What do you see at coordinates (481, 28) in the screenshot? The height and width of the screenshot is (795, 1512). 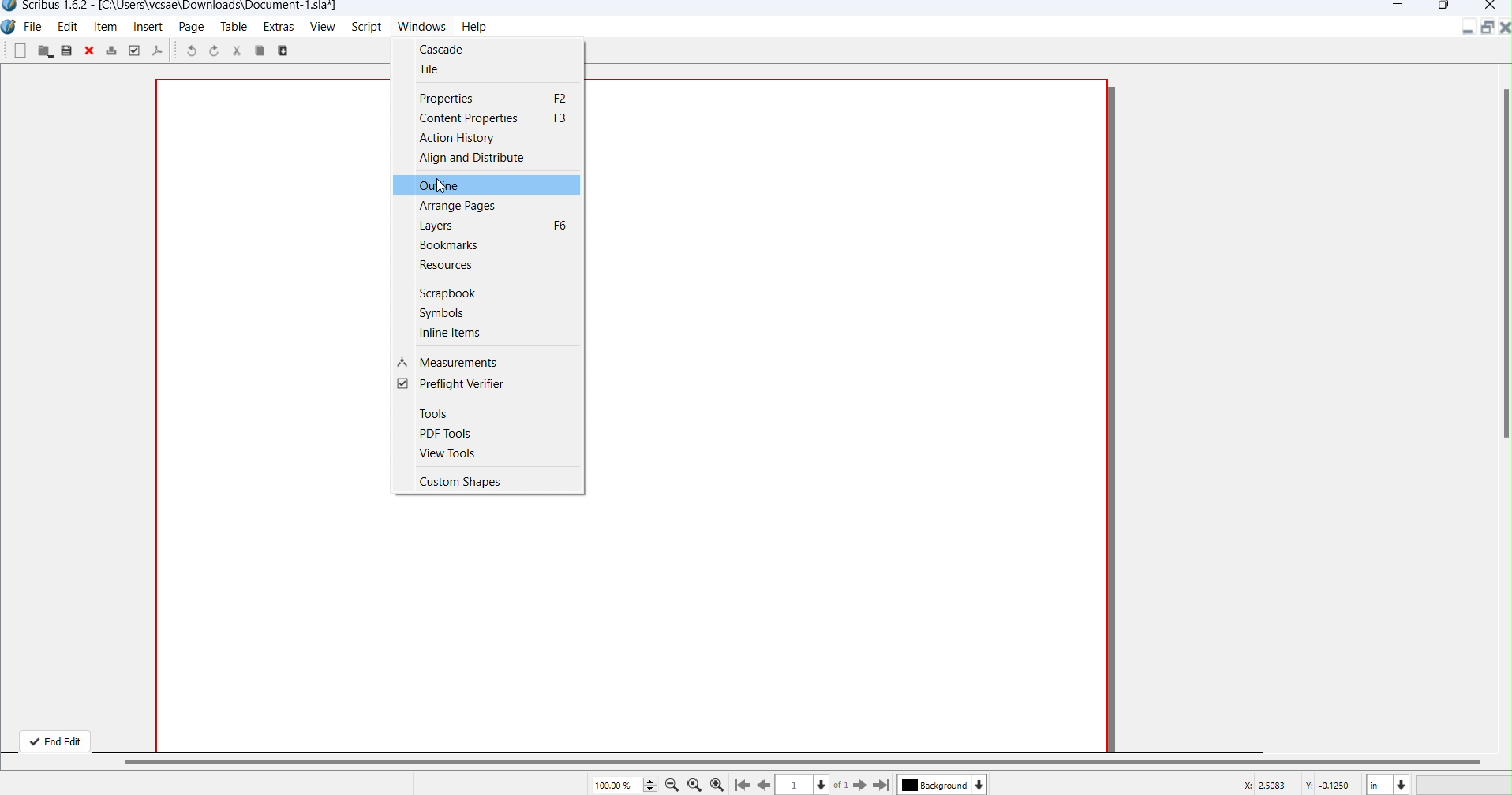 I see `help` at bounding box center [481, 28].